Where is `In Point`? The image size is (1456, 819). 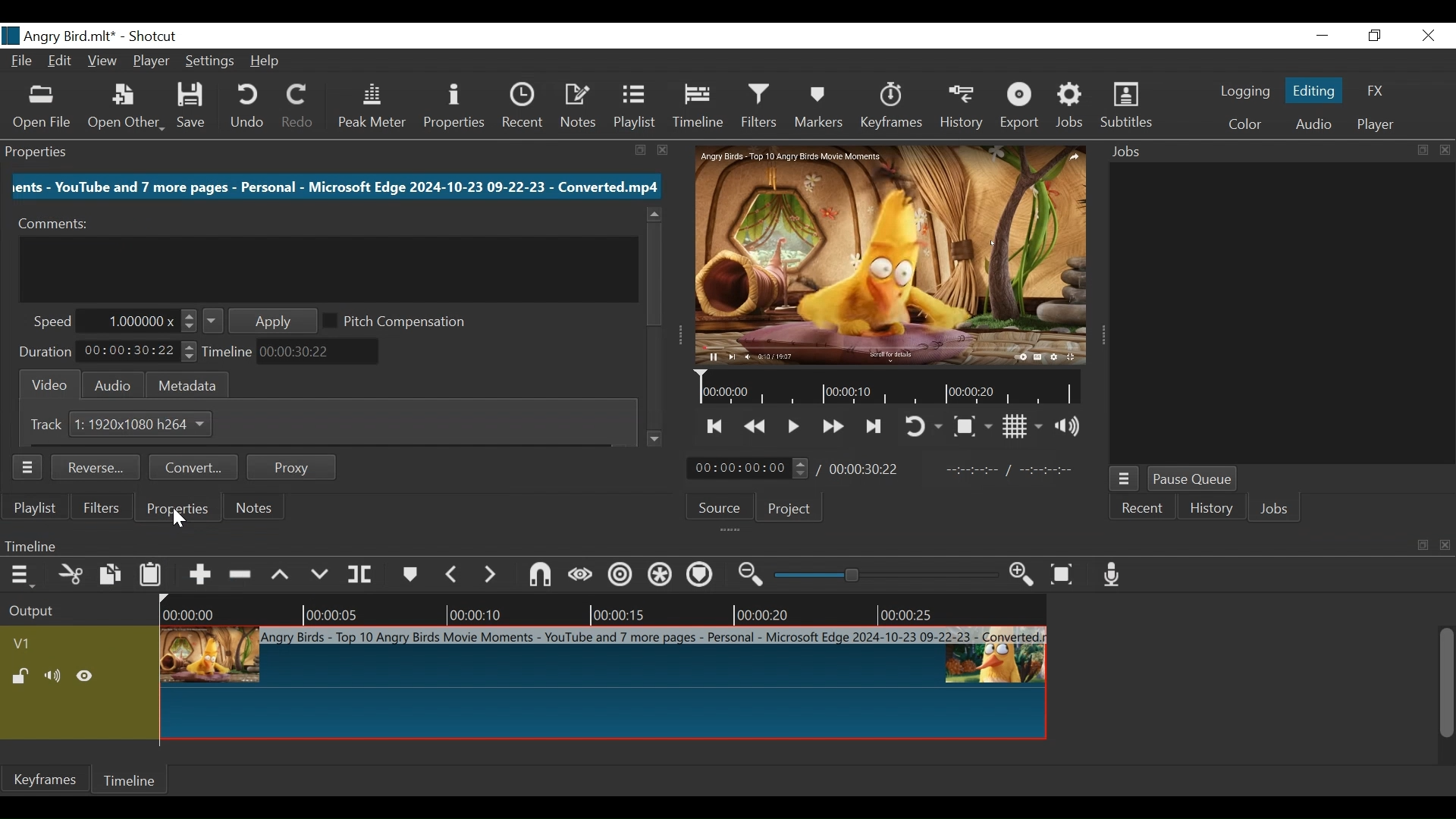
In Point is located at coordinates (1012, 471).